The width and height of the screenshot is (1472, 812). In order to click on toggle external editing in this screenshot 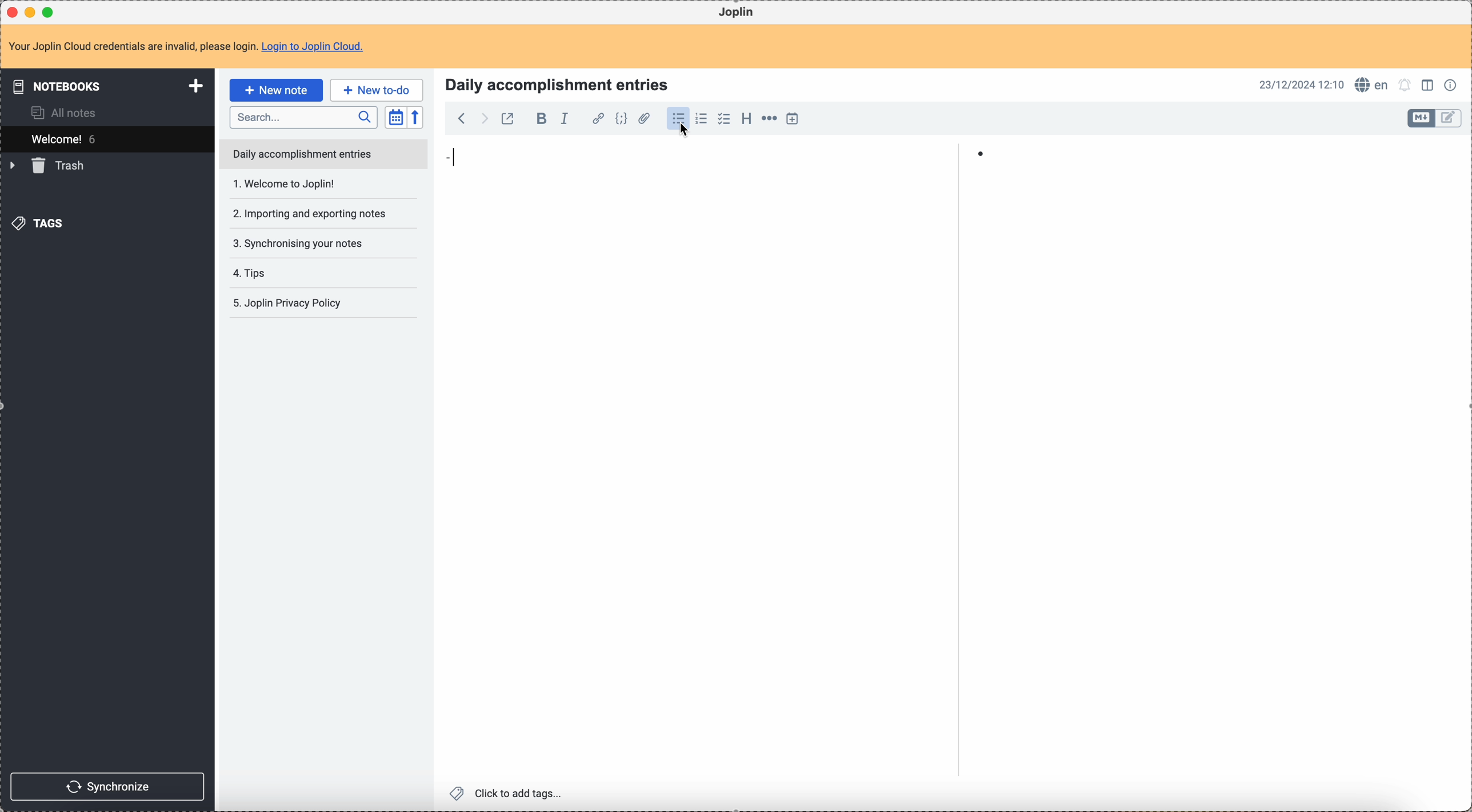, I will do `click(508, 118)`.